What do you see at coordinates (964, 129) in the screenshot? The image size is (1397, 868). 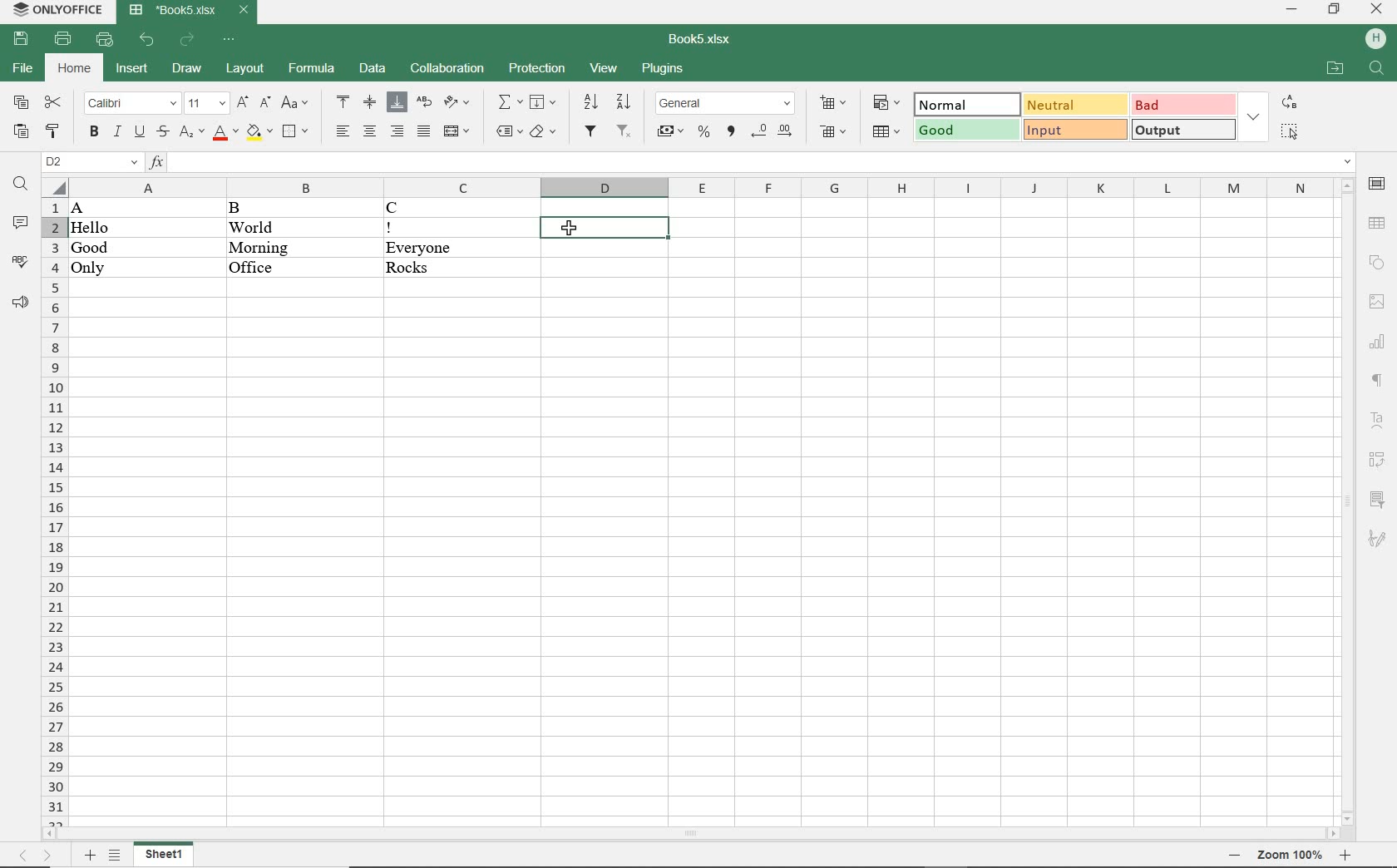 I see `GOOD` at bounding box center [964, 129].